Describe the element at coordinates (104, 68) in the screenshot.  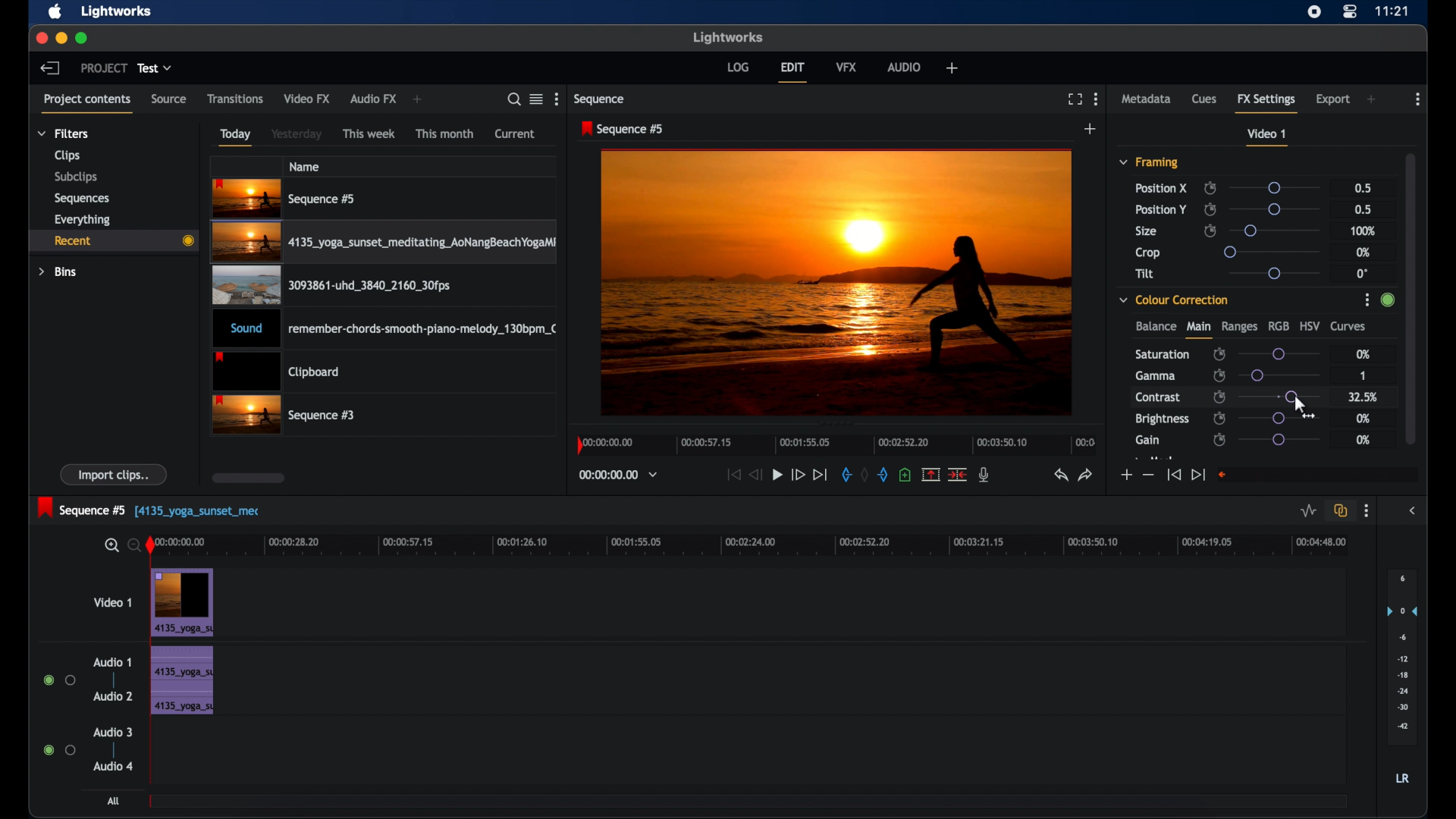
I see `project` at that location.